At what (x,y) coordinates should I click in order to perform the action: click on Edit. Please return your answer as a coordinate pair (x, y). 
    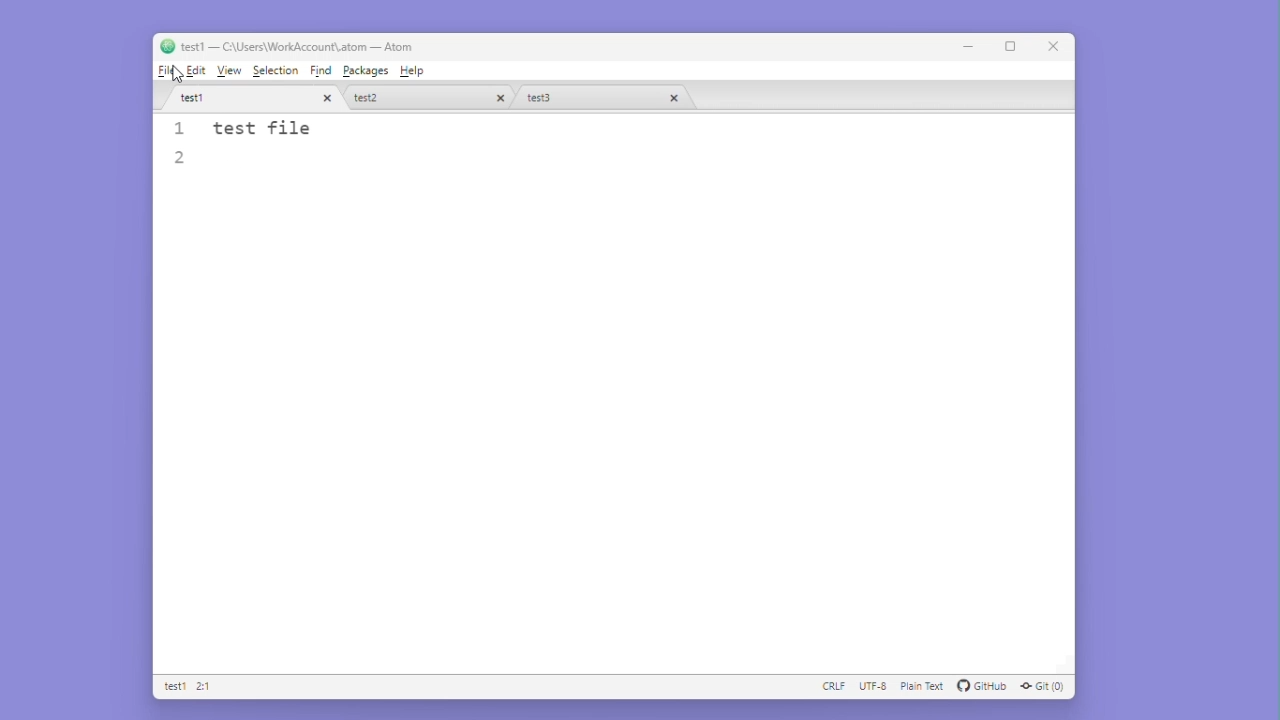
    Looking at the image, I should click on (197, 72).